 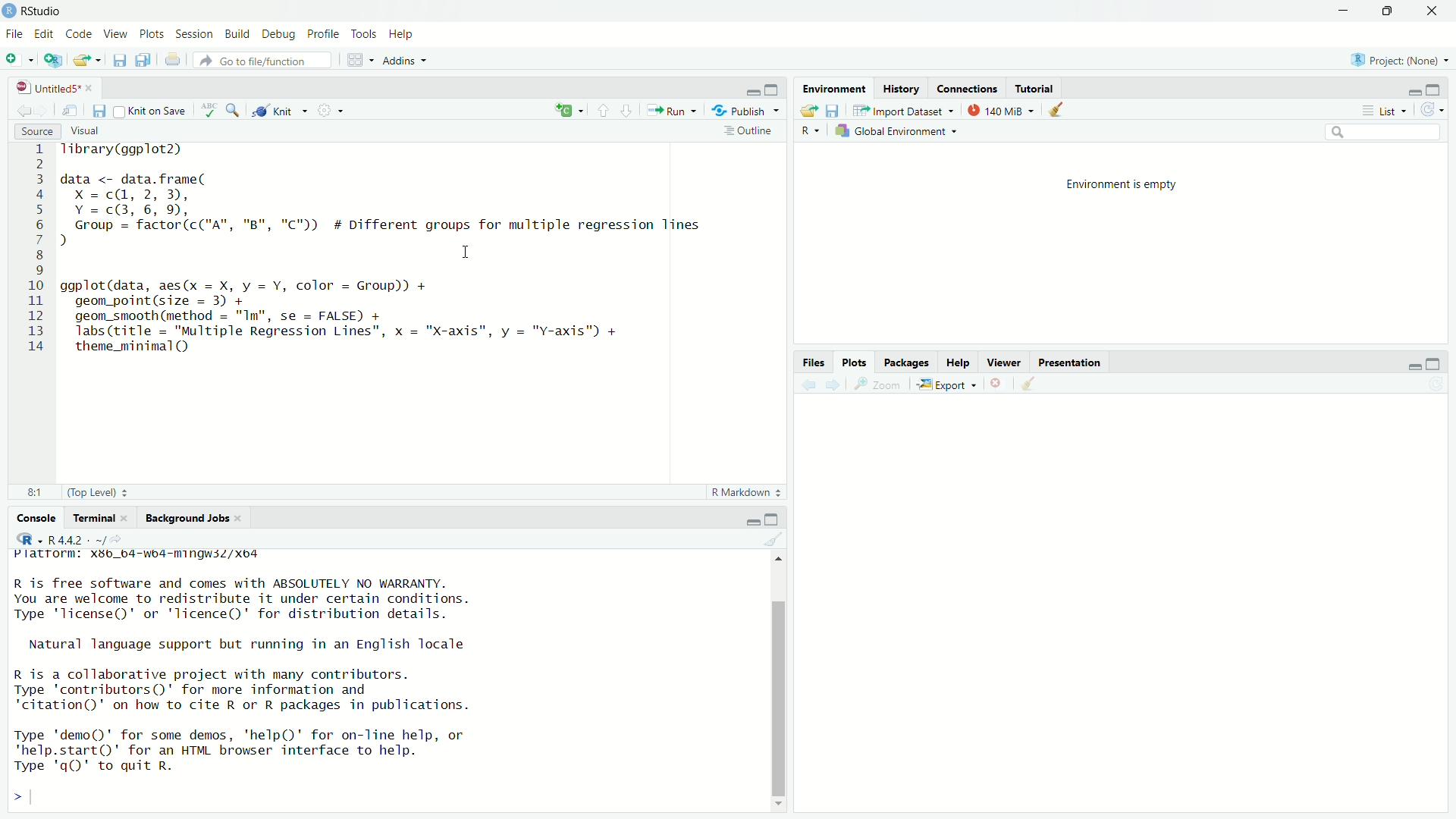 What do you see at coordinates (1399, 362) in the screenshot?
I see `minimise` at bounding box center [1399, 362].